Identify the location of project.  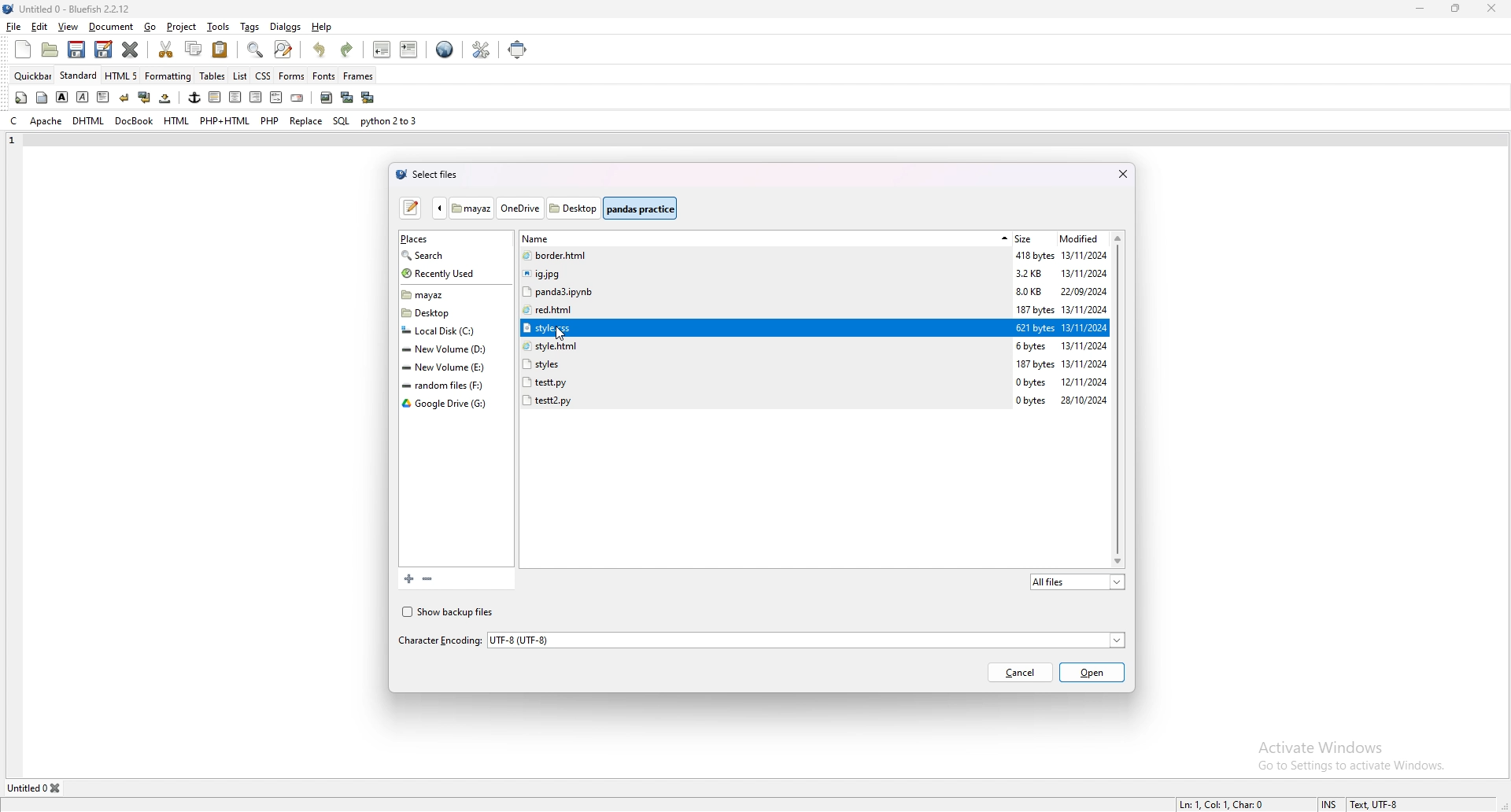
(181, 27).